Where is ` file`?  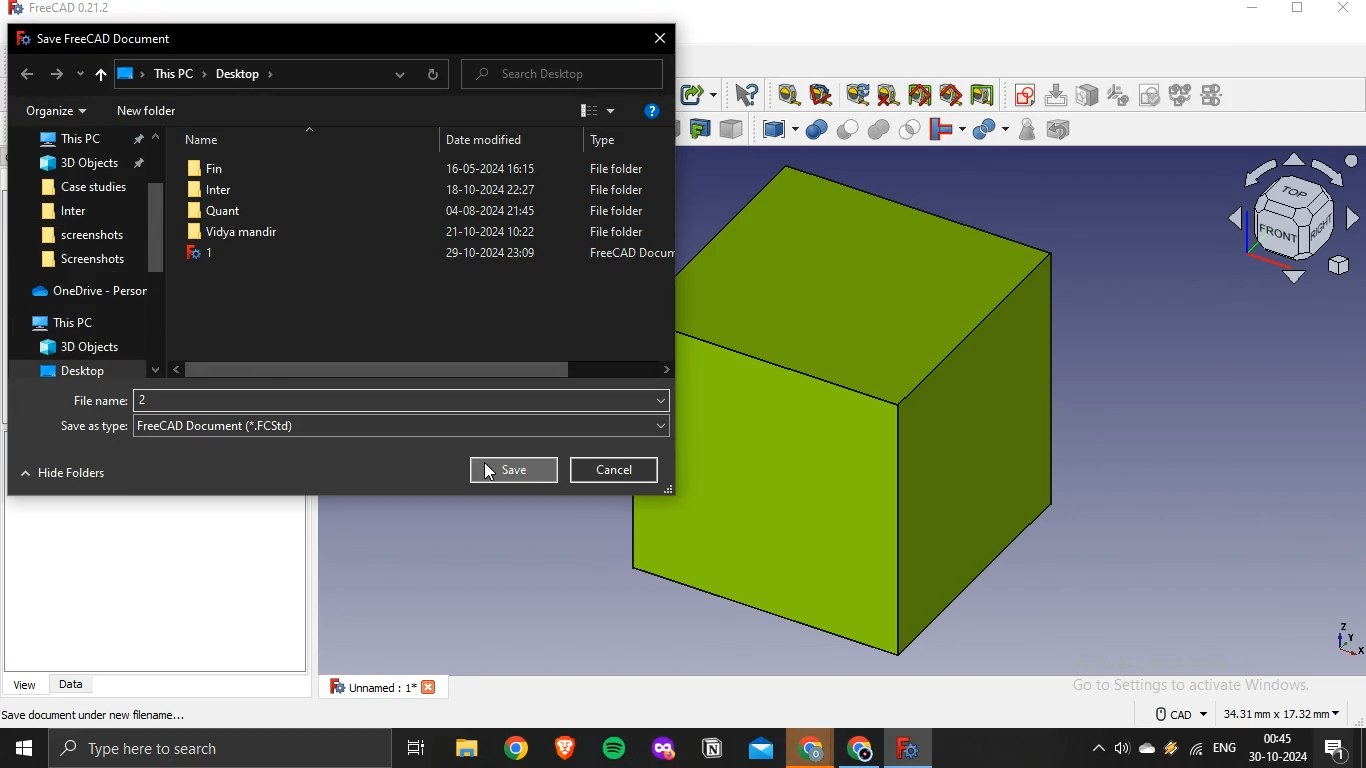  file is located at coordinates (415, 233).